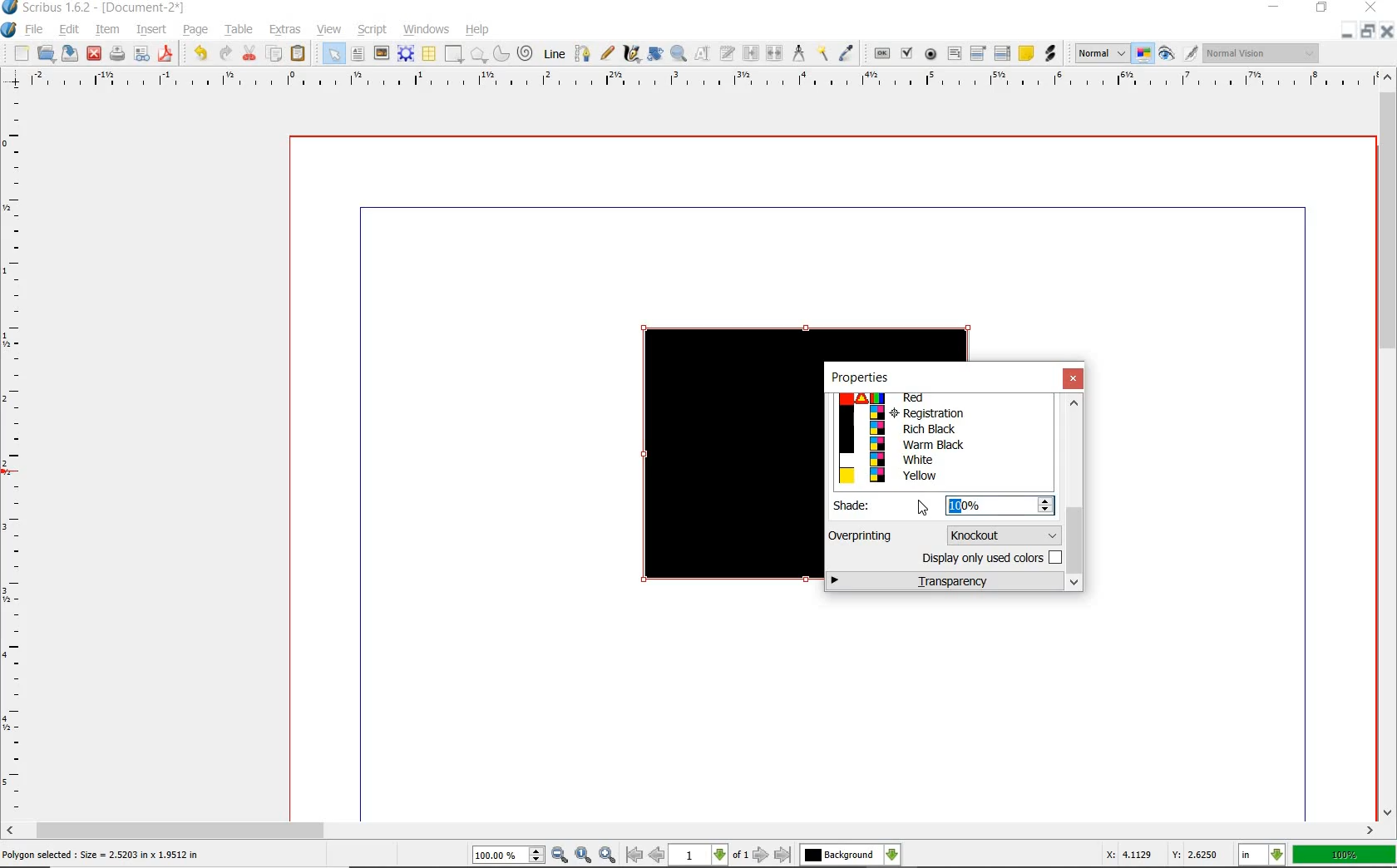 The width and height of the screenshot is (1397, 868). I want to click on CLOSE, so click(1385, 33).